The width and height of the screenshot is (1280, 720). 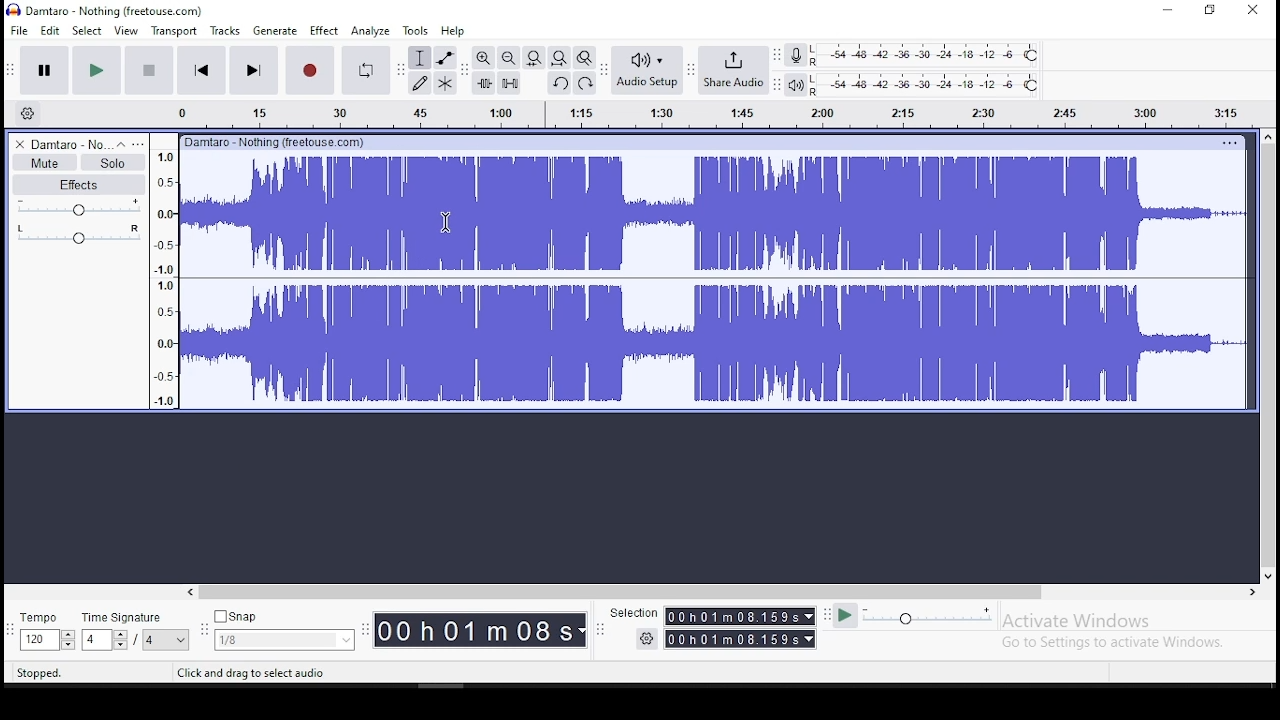 What do you see at coordinates (509, 57) in the screenshot?
I see `zoom ` at bounding box center [509, 57].